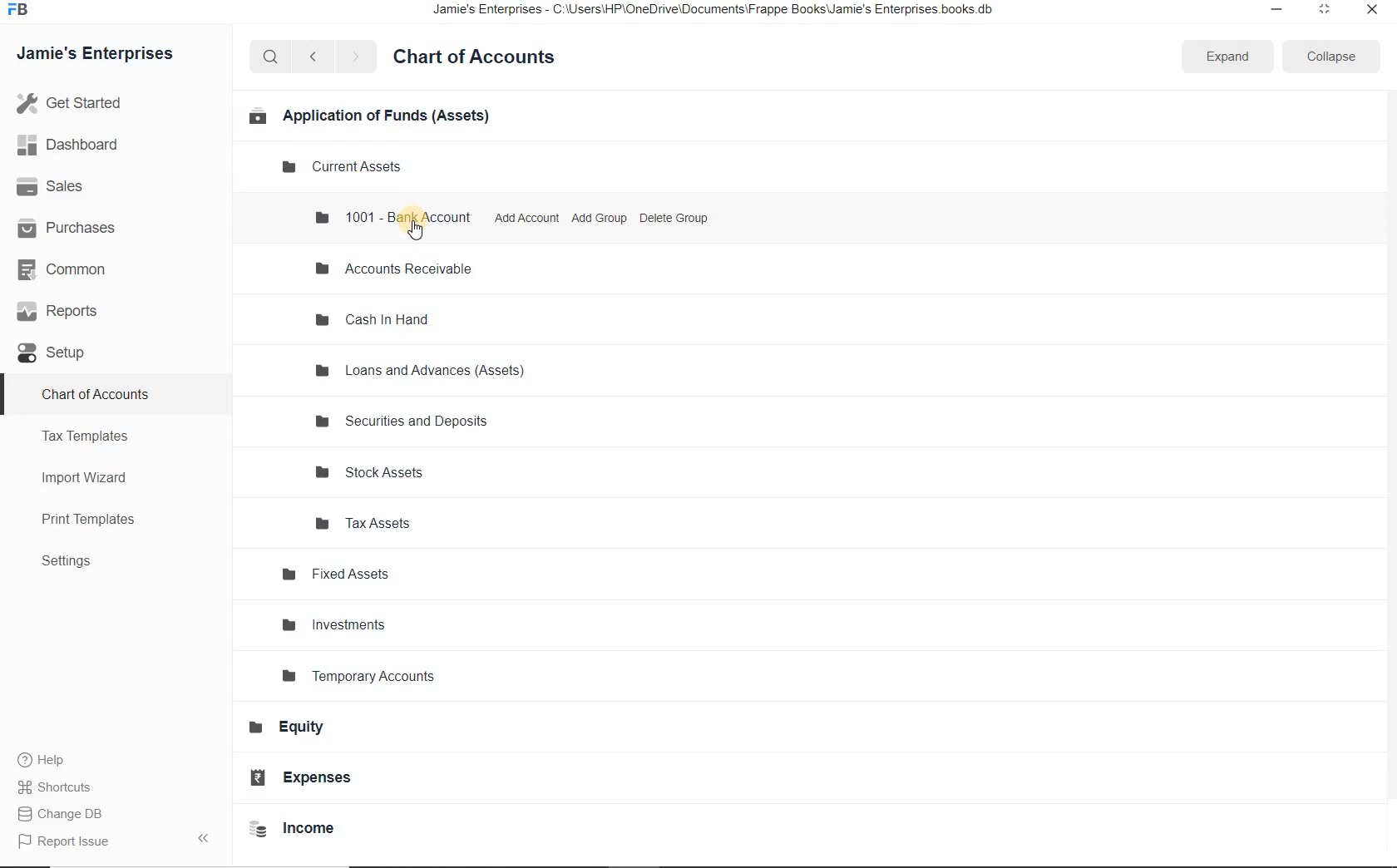  Describe the element at coordinates (91, 436) in the screenshot. I see `Tax Templates` at that location.